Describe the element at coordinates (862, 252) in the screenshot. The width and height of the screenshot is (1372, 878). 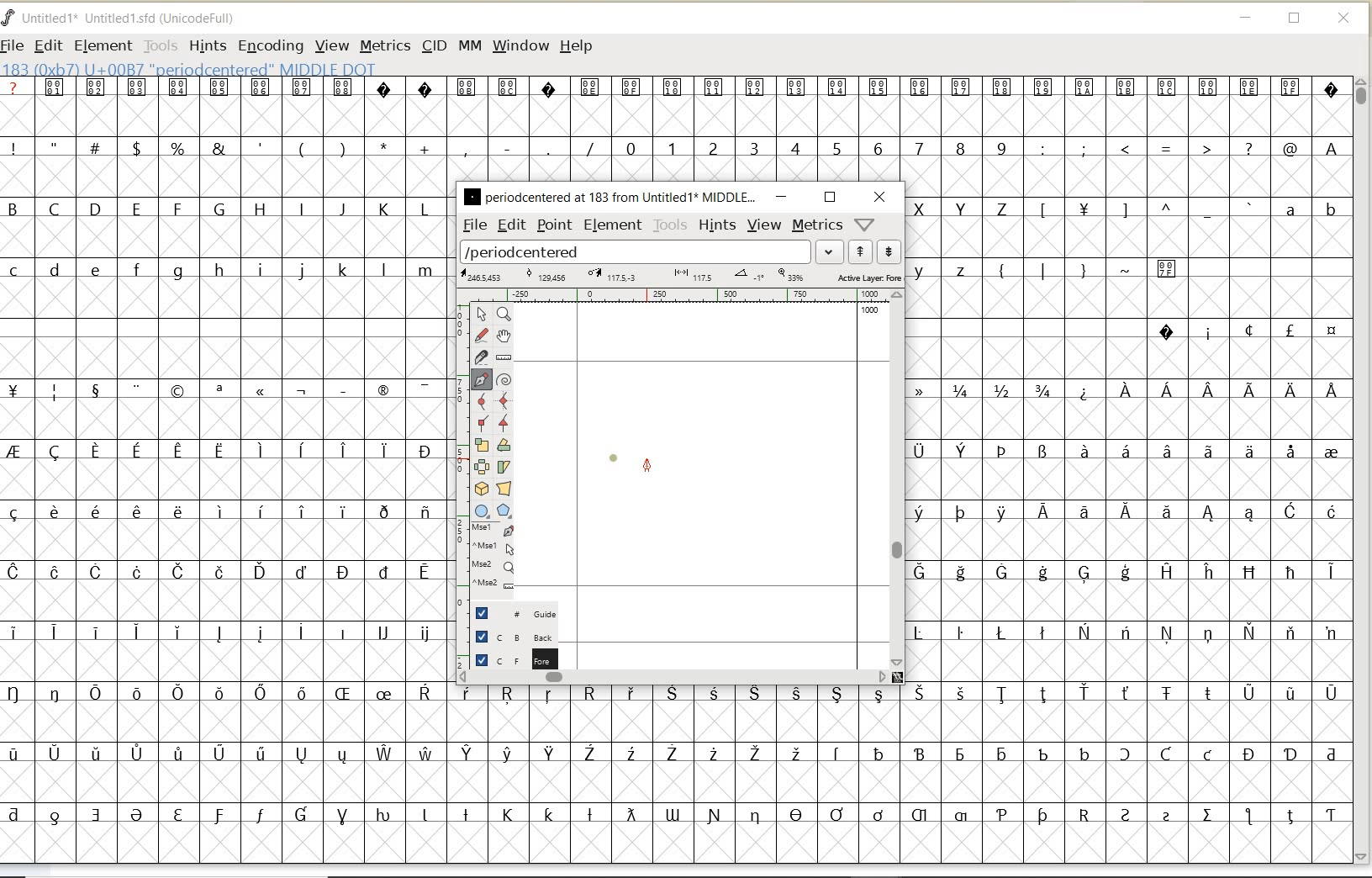
I see `show previous word list` at that location.